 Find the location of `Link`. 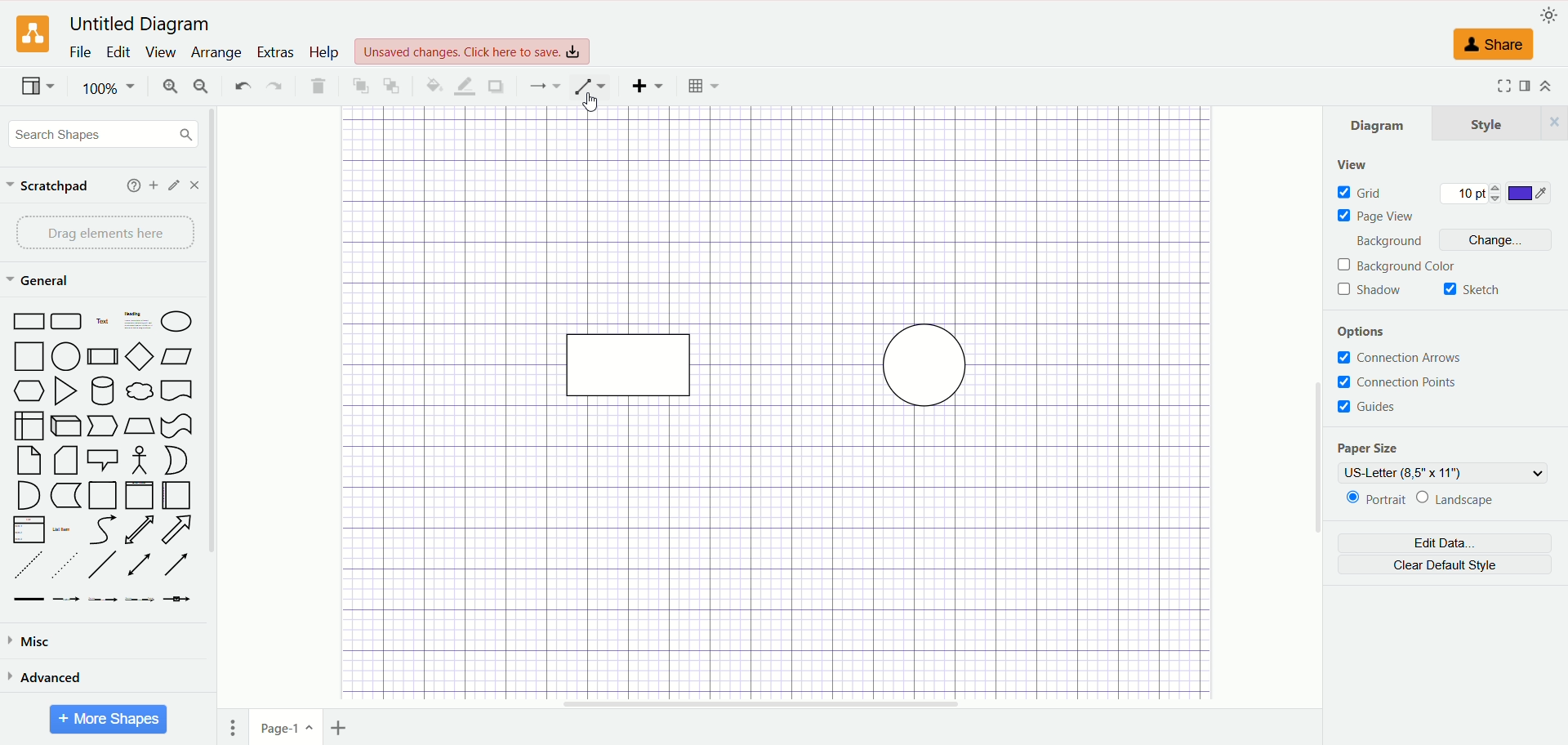

Link is located at coordinates (29, 602).